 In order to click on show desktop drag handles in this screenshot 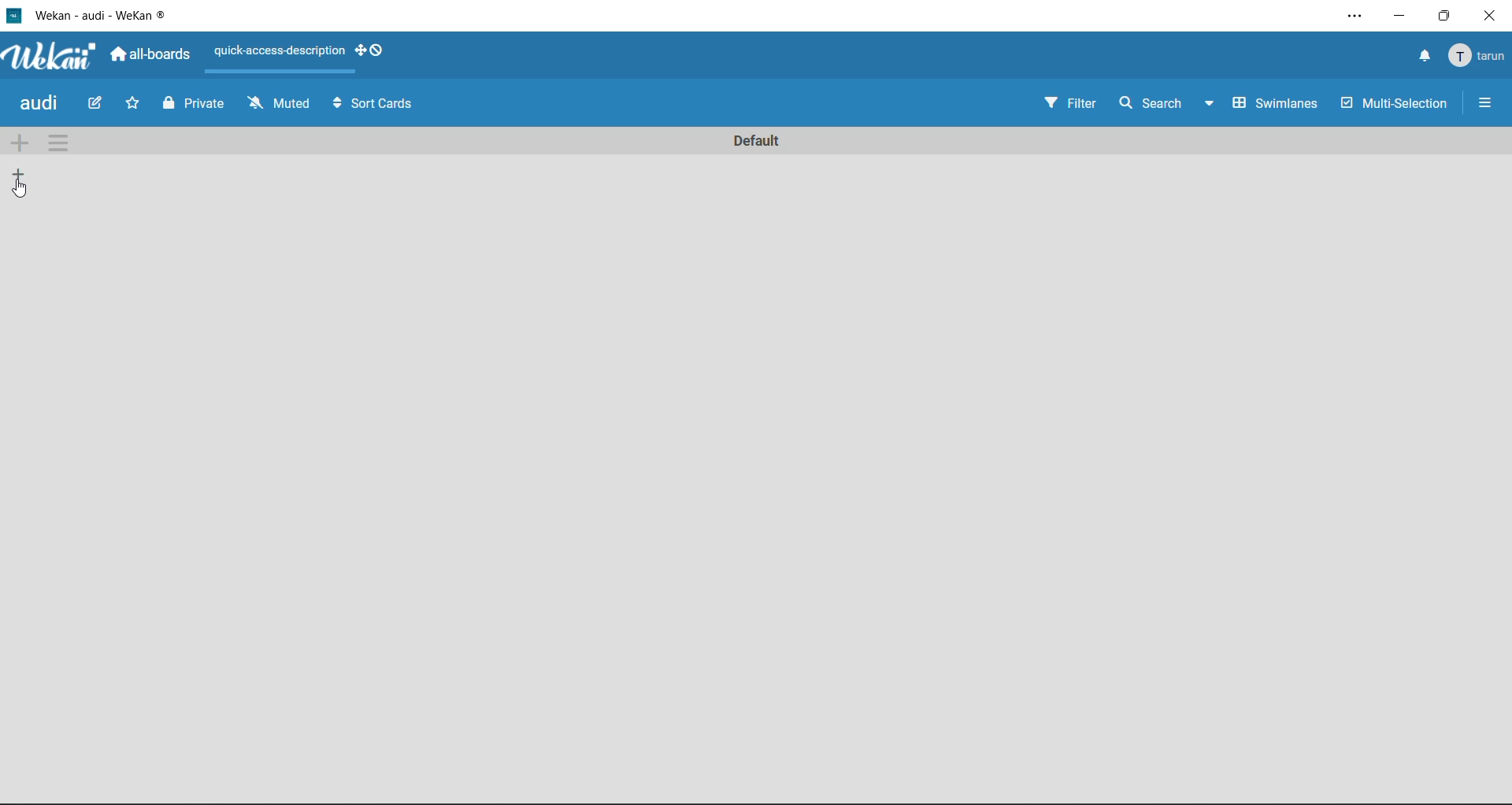, I will do `click(369, 51)`.